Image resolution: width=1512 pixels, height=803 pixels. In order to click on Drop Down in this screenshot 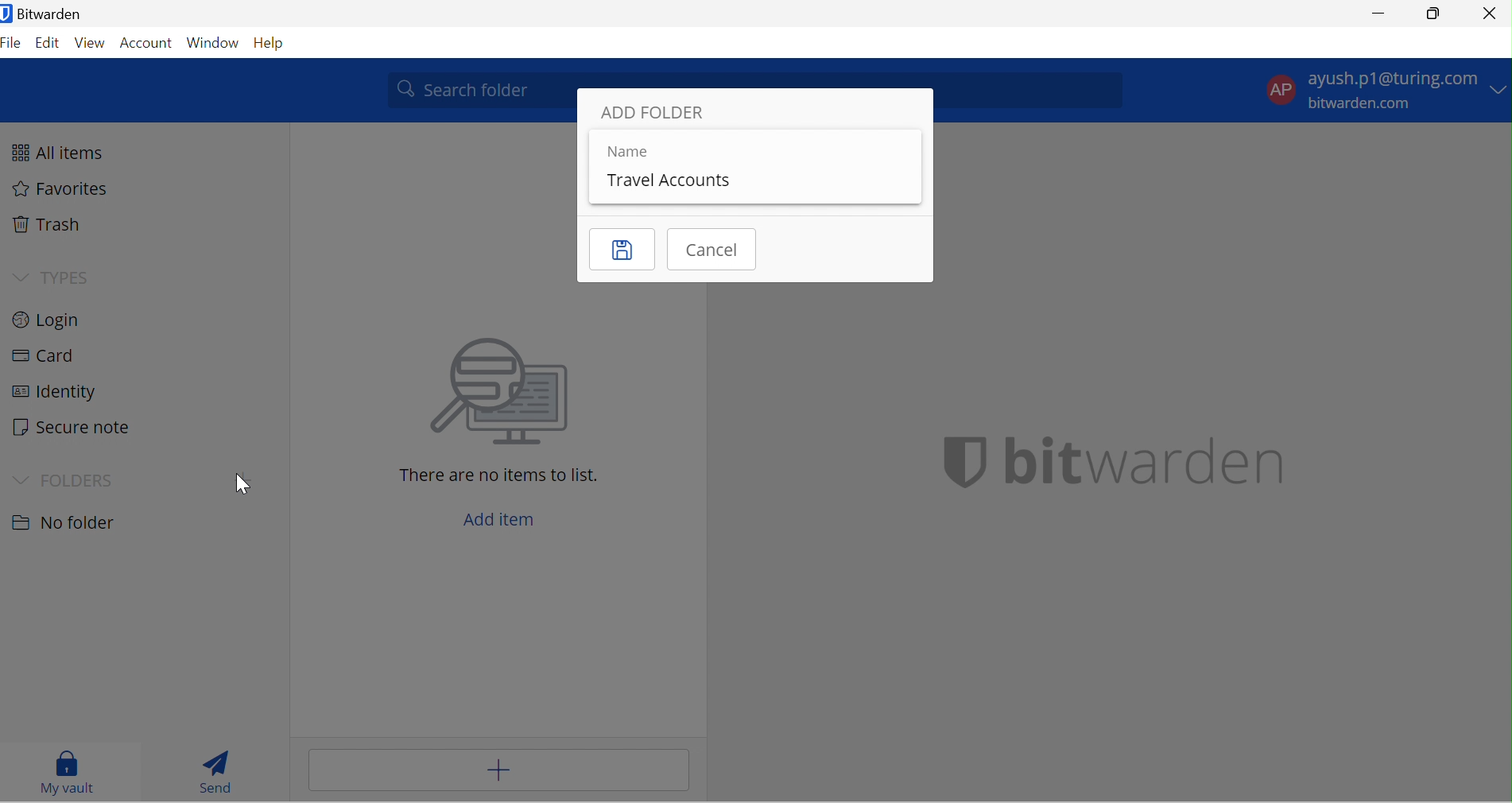, I will do `click(19, 479)`.